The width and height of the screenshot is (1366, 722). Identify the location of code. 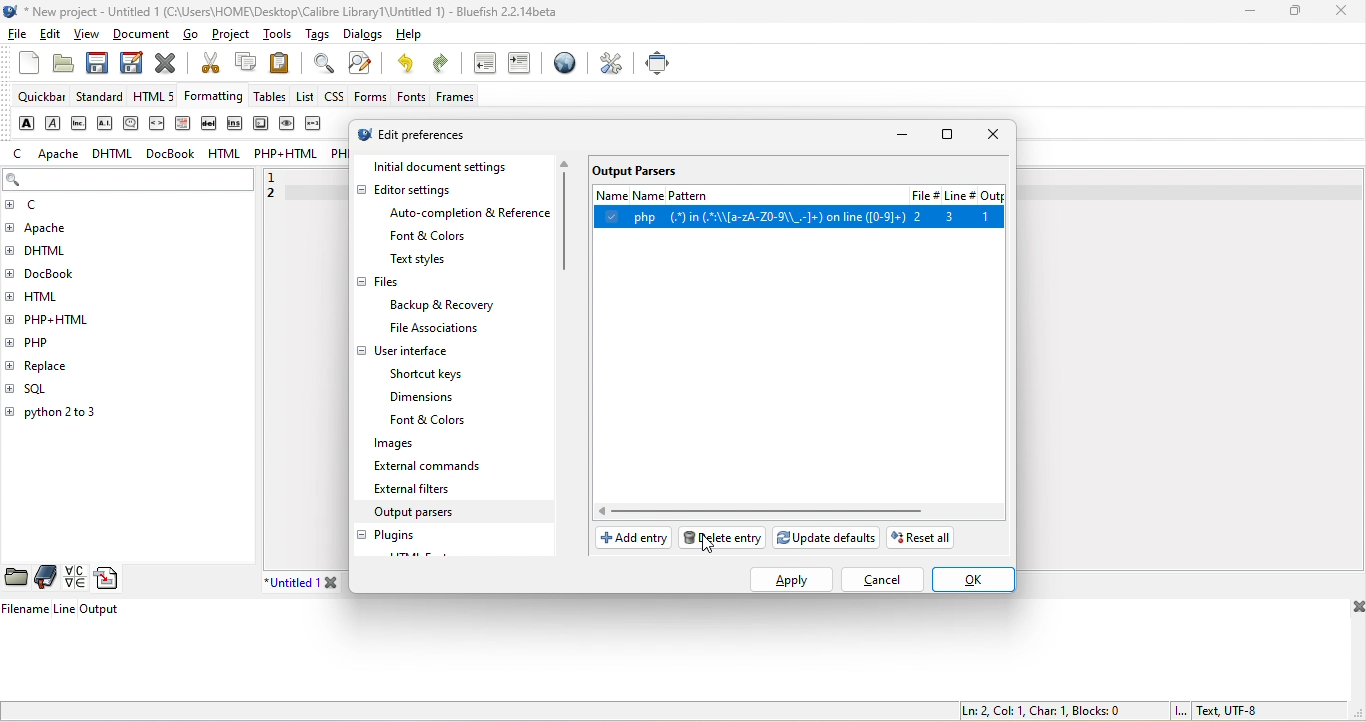
(158, 125).